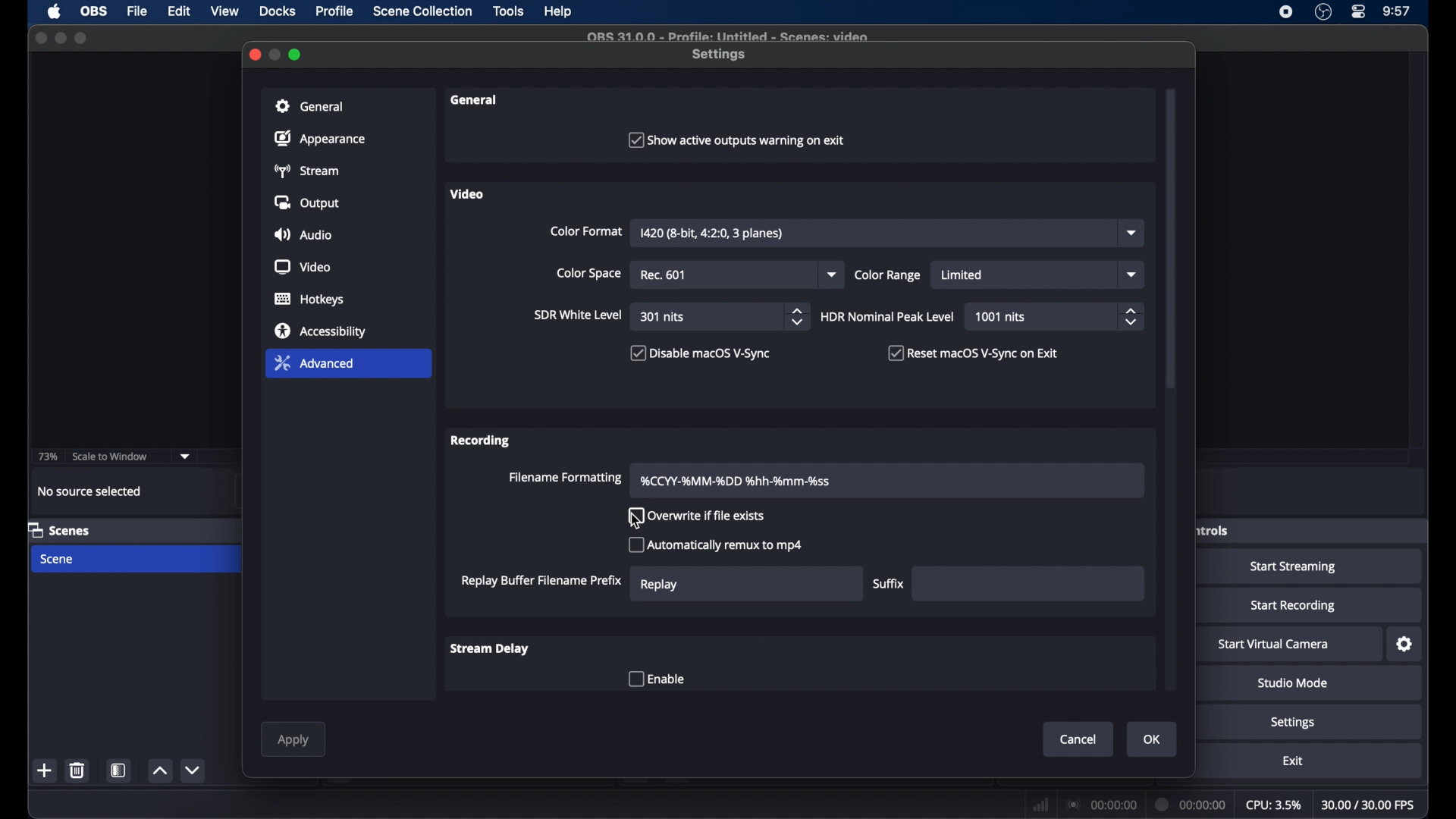 The image size is (1456, 819). What do you see at coordinates (306, 202) in the screenshot?
I see `output` at bounding box center [306, 202].